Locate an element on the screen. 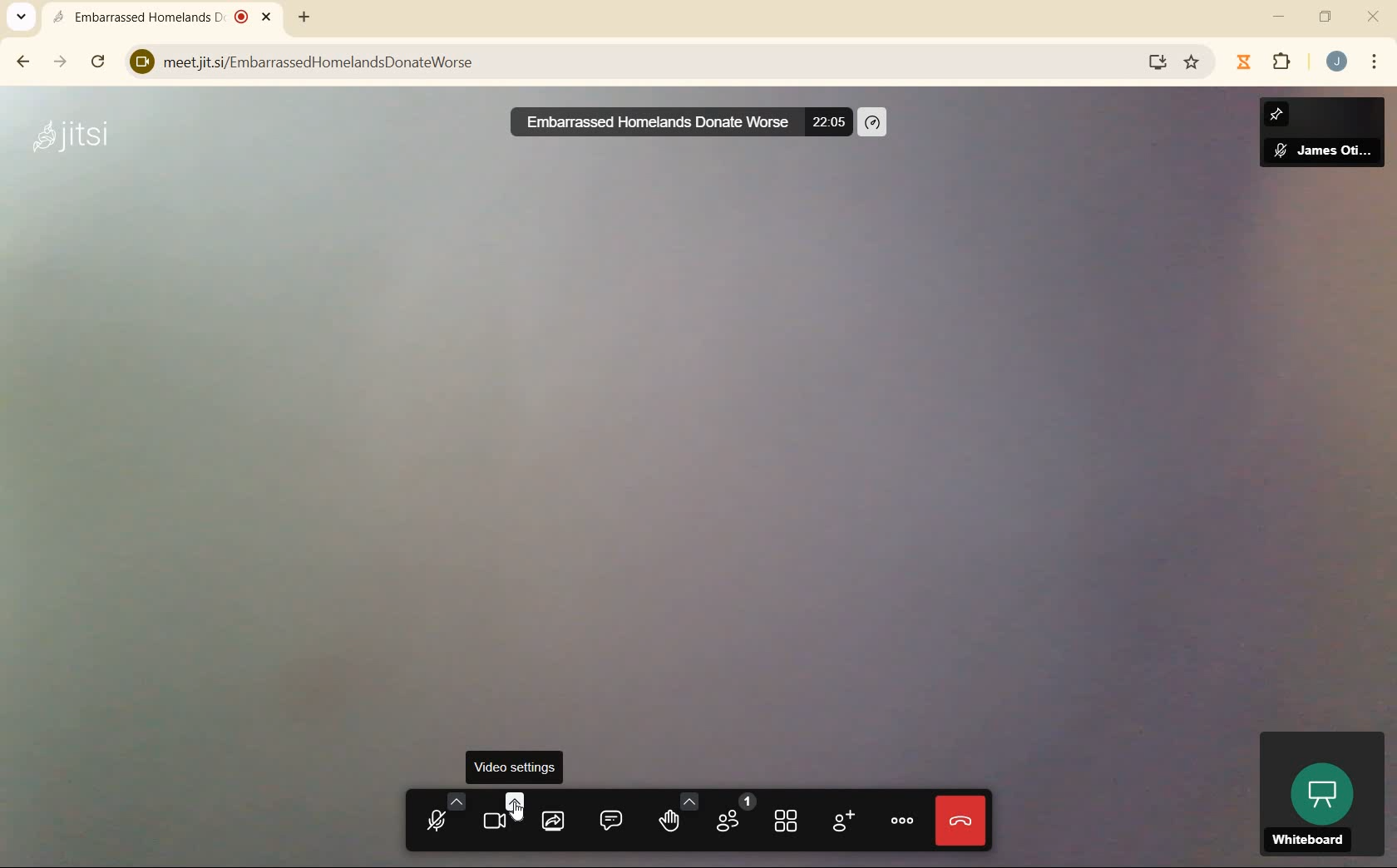  back is located at coordinates (24, 62).